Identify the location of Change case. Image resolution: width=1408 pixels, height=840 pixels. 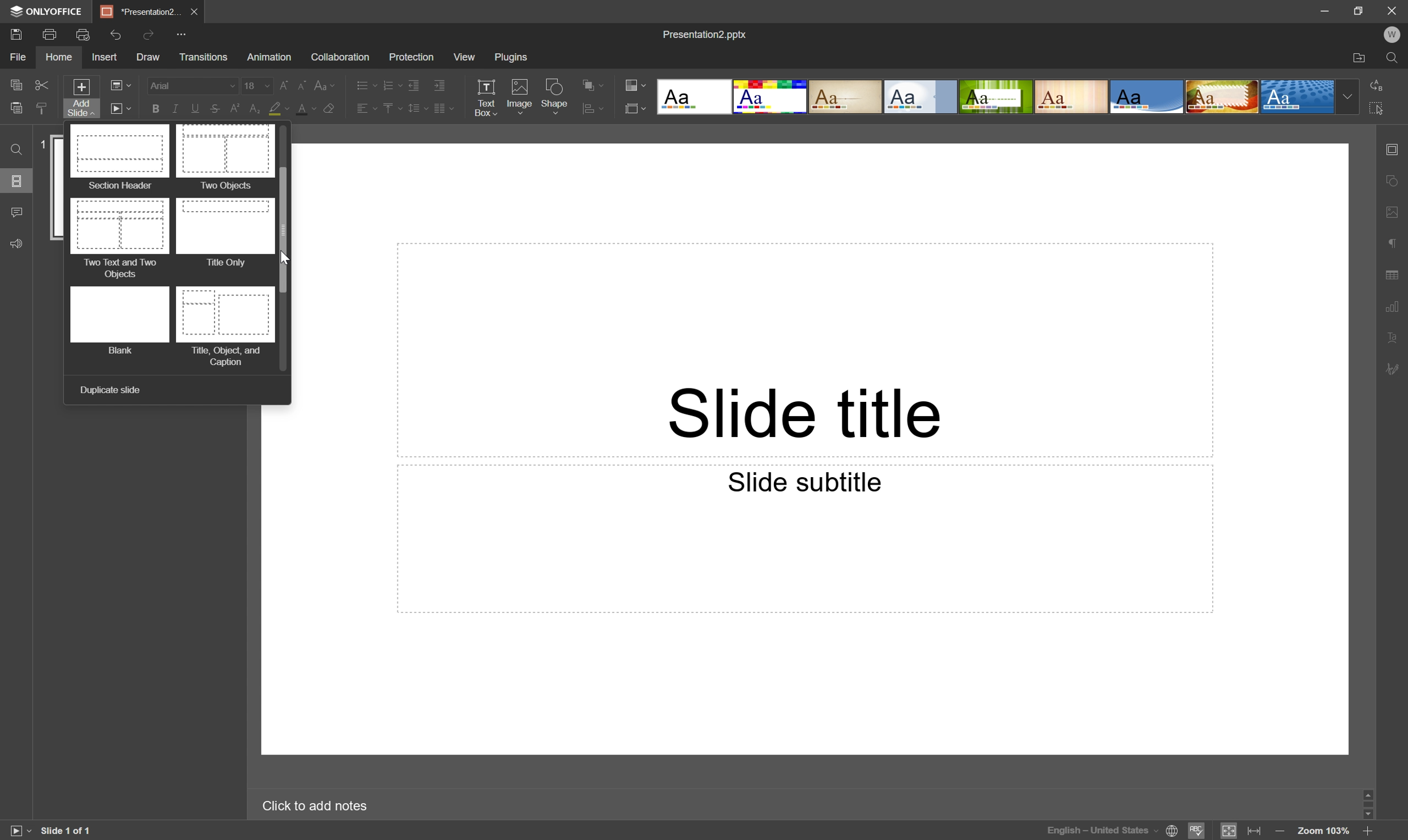
(327, 83).